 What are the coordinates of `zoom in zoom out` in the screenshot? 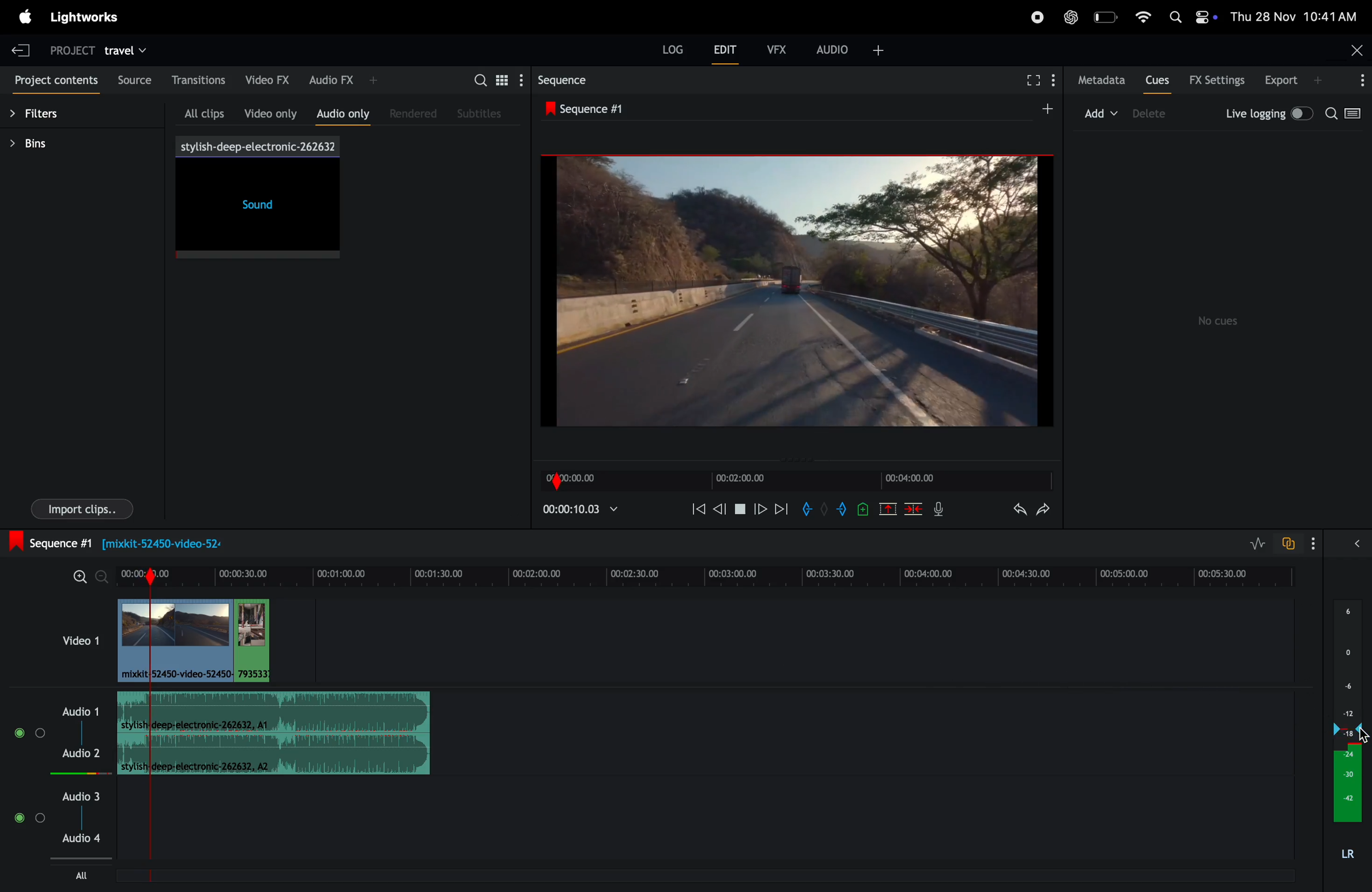 It's located at (89, 577).